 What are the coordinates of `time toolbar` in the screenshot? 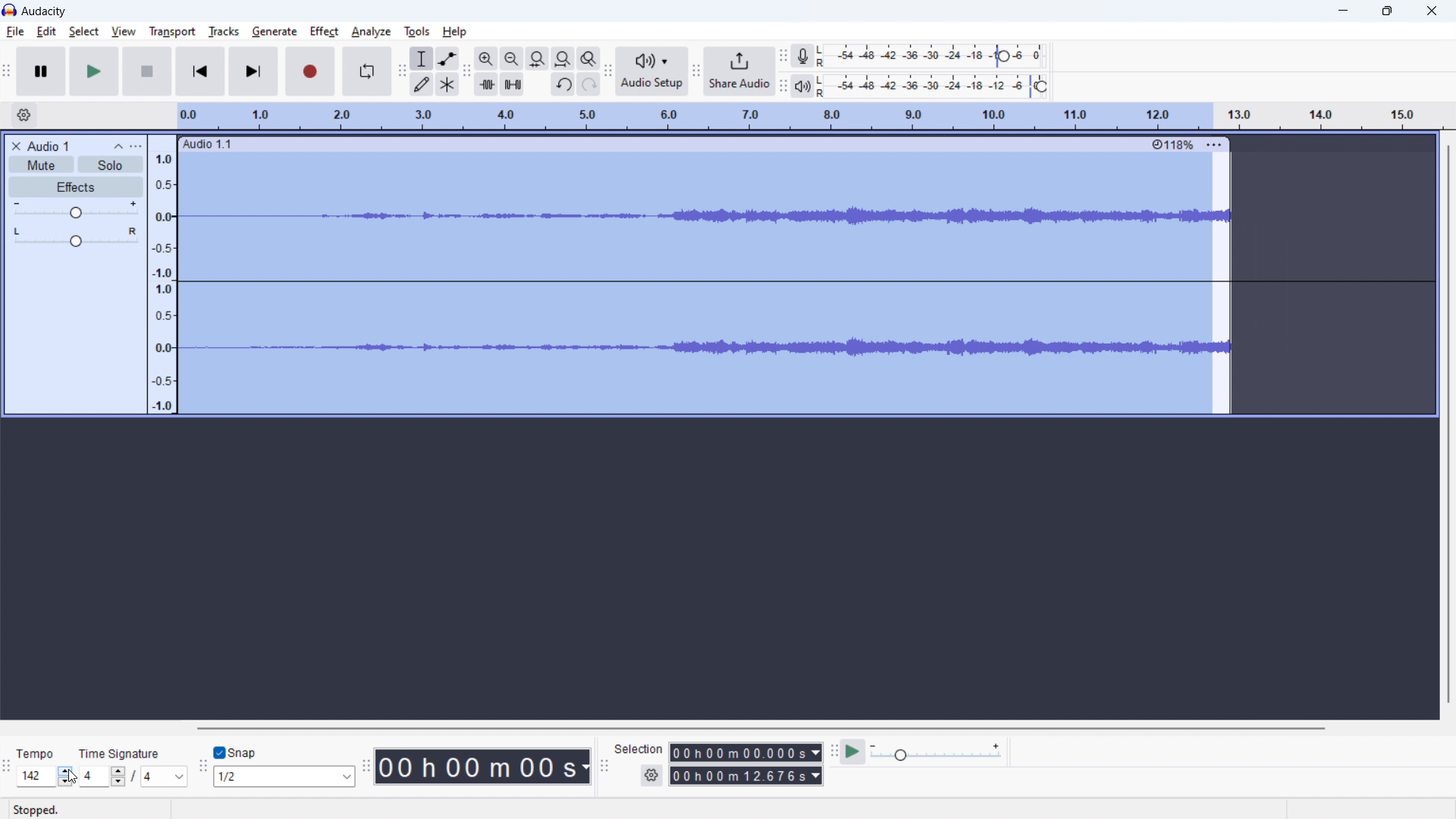 It's located at (369, 767).